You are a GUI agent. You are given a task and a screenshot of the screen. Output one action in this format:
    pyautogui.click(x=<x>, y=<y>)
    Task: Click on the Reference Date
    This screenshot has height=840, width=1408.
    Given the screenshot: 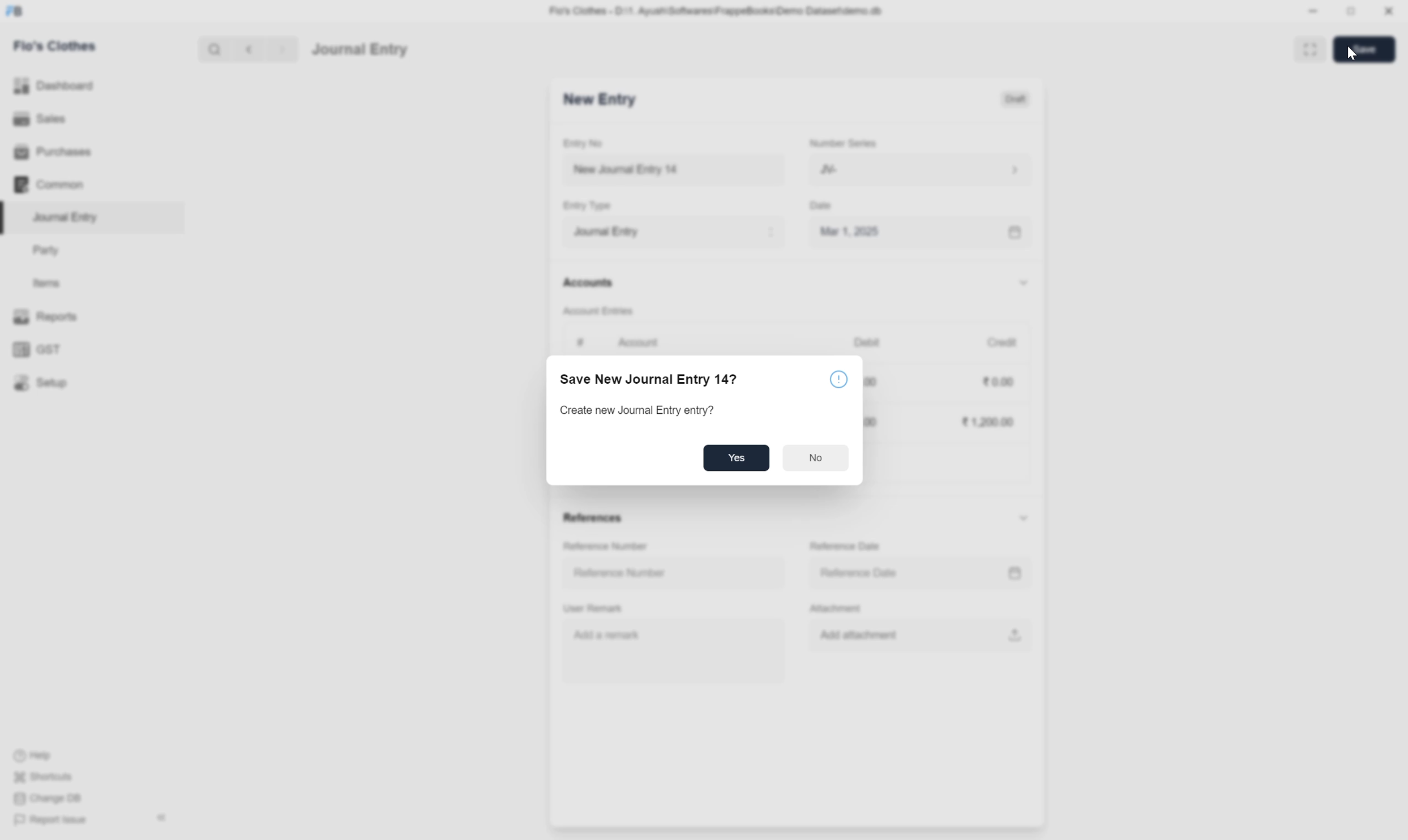 What is the action you would take?
    pyautogui.click(x=848, y=547)
    